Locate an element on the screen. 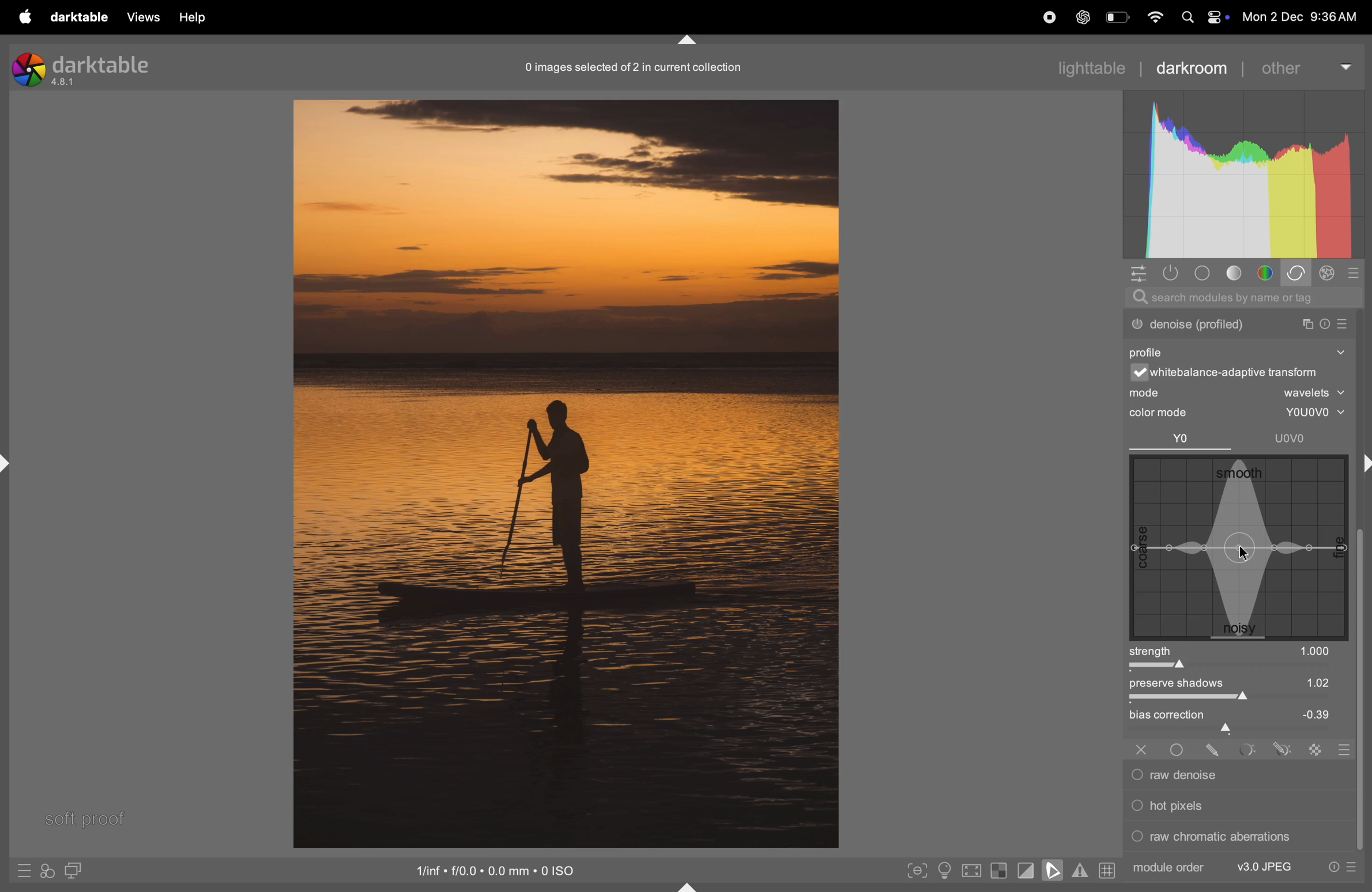 Image resolution: width=1372 pixels, height=892 pixels. module order is located at coordinates (1169, 867).